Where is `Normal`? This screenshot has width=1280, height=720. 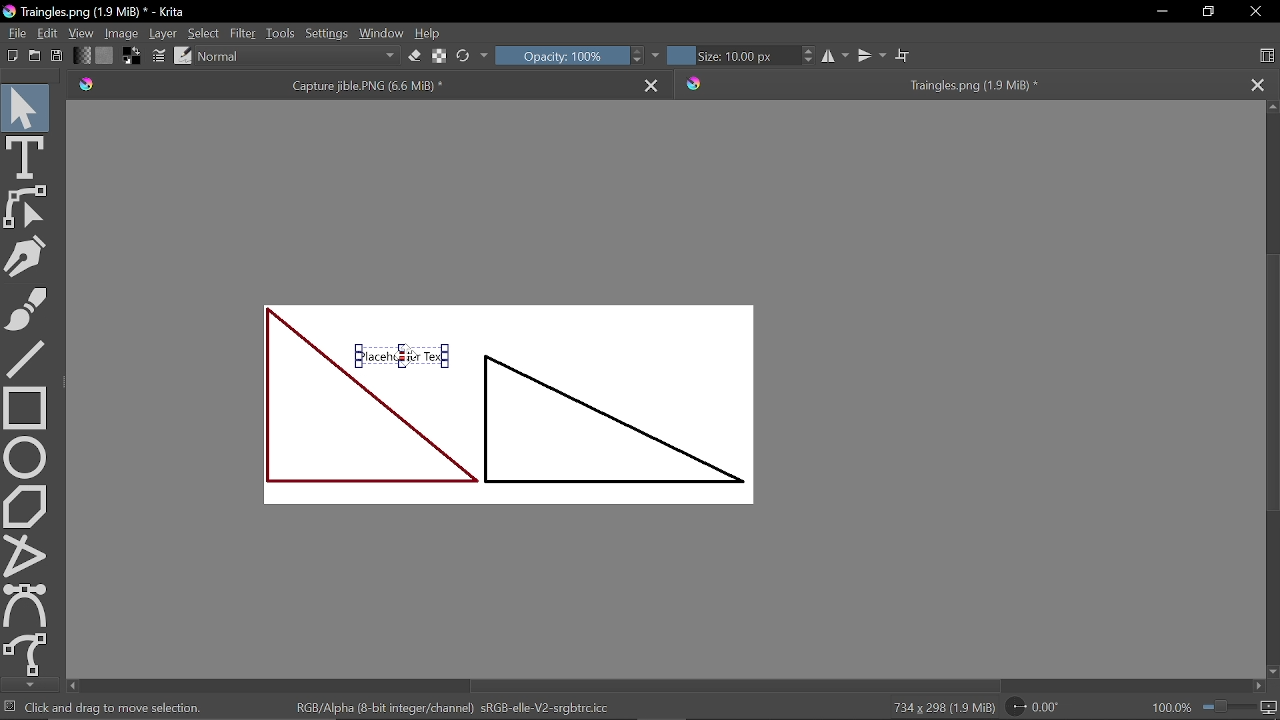 Normal is located at coordinates (298, 57).